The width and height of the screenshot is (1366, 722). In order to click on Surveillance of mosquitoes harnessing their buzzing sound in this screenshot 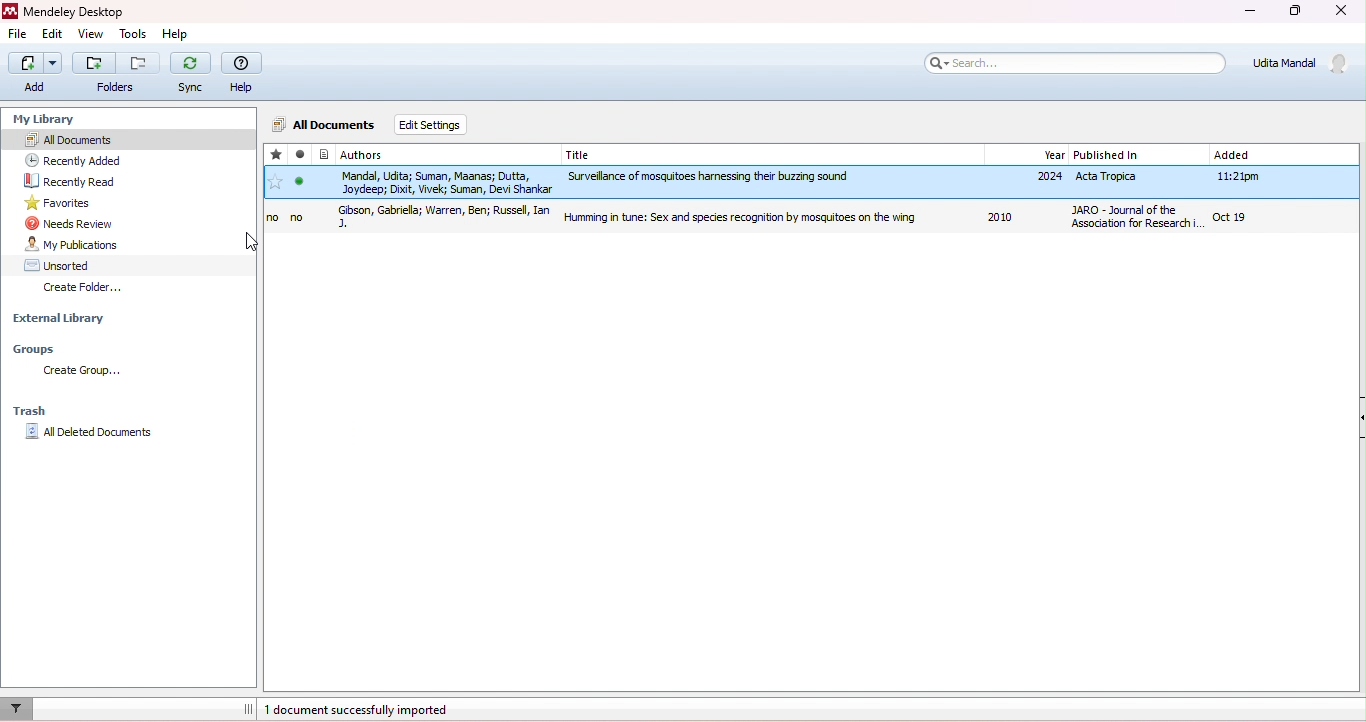, I will do `click(709, 182)`.